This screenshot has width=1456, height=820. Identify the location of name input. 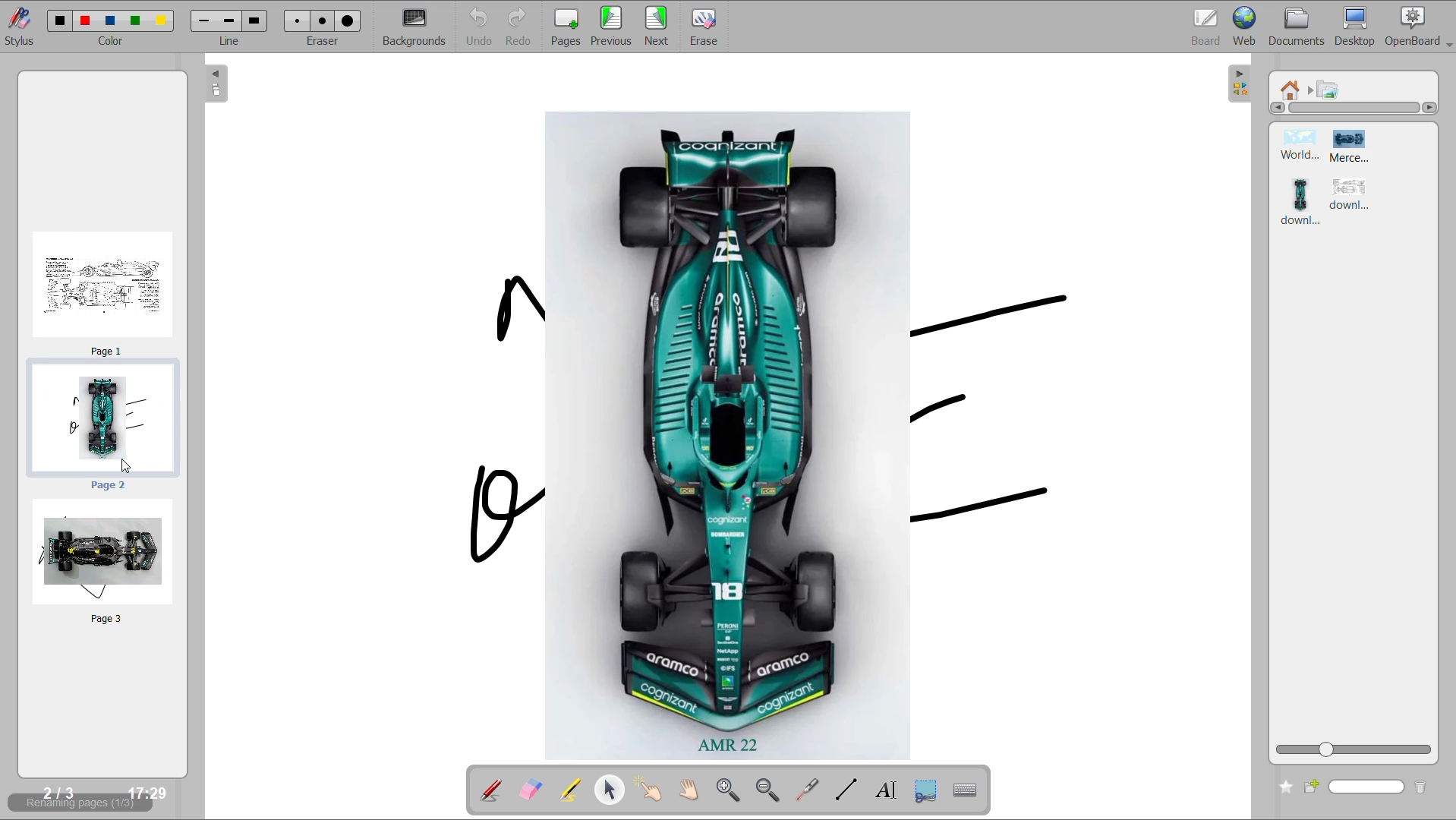
(1369, 785).